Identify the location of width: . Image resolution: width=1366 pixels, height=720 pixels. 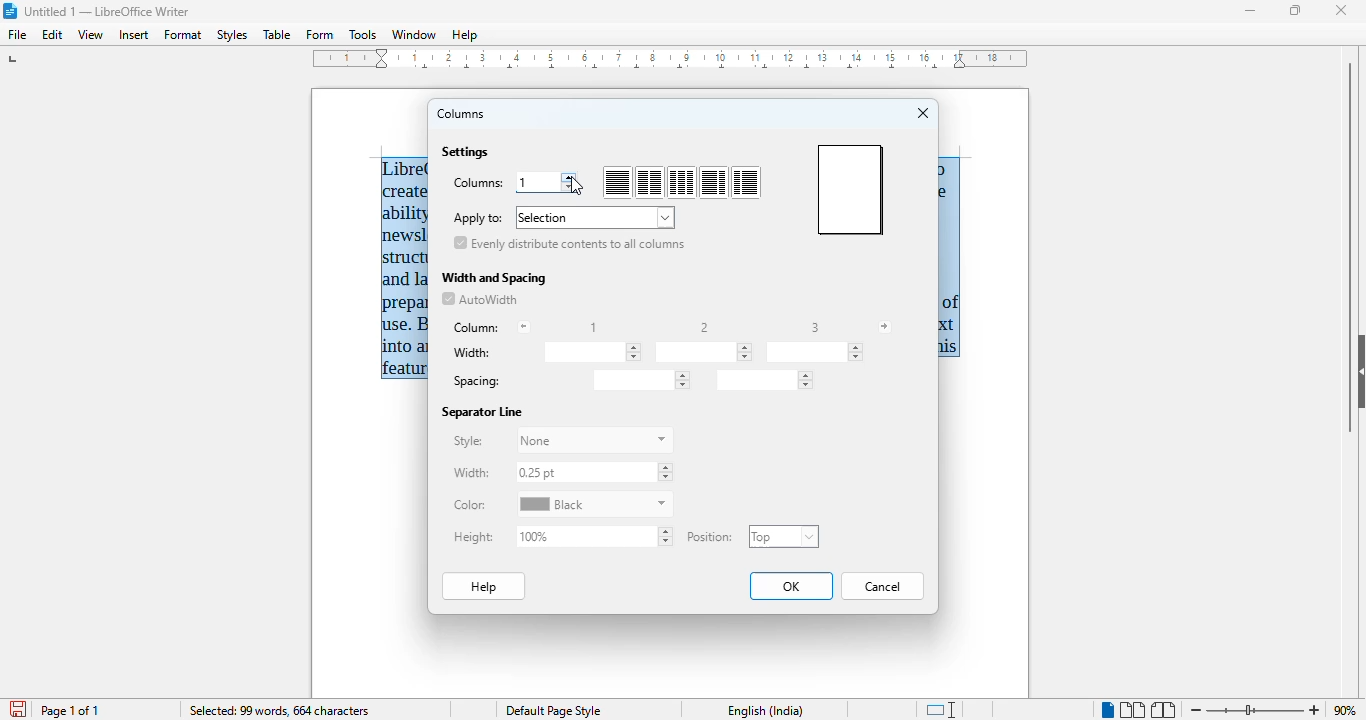
(471, 473).